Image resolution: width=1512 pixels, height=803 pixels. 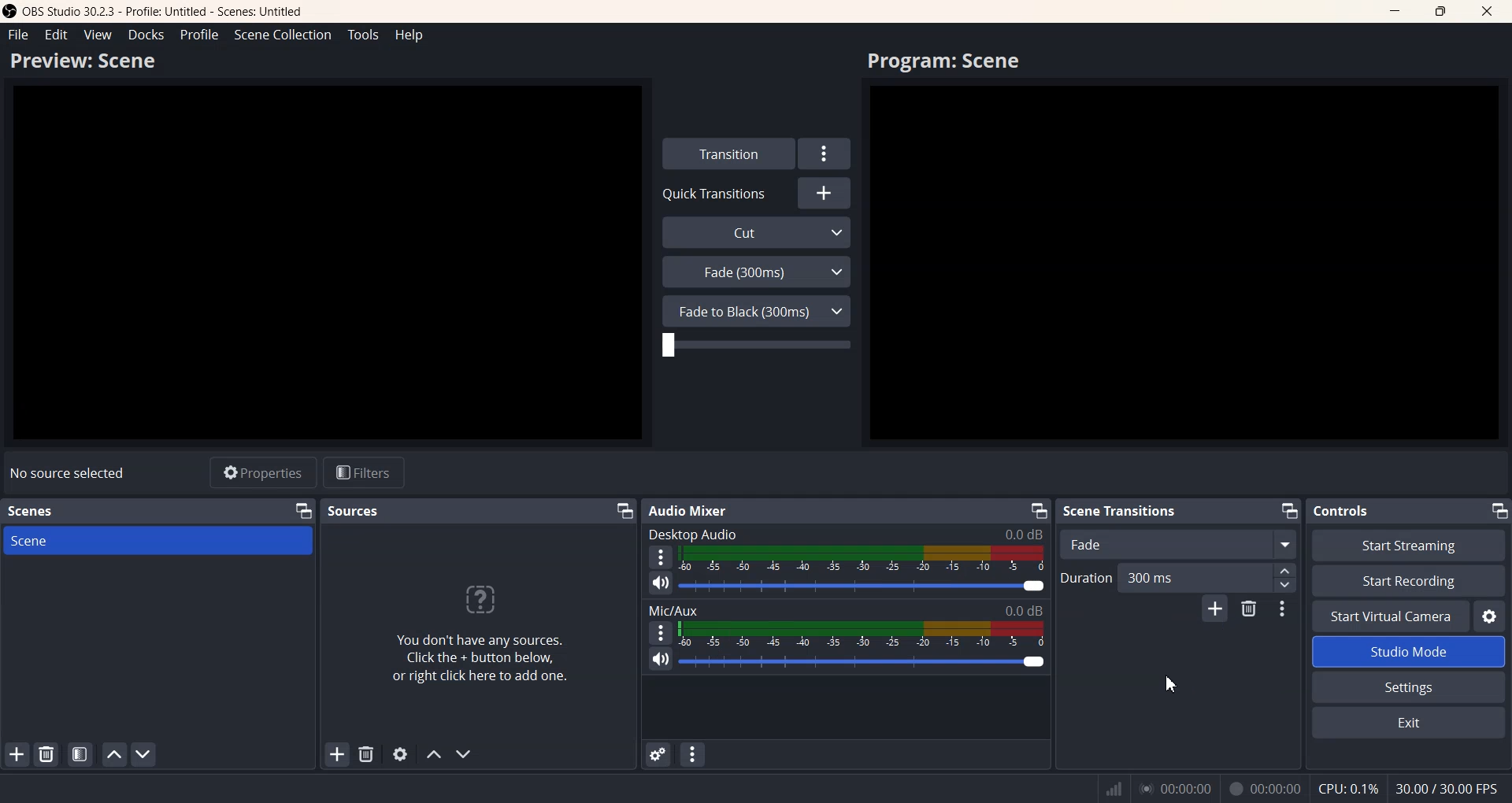 I want to click on Add Sources, so click(x=335, y=754).